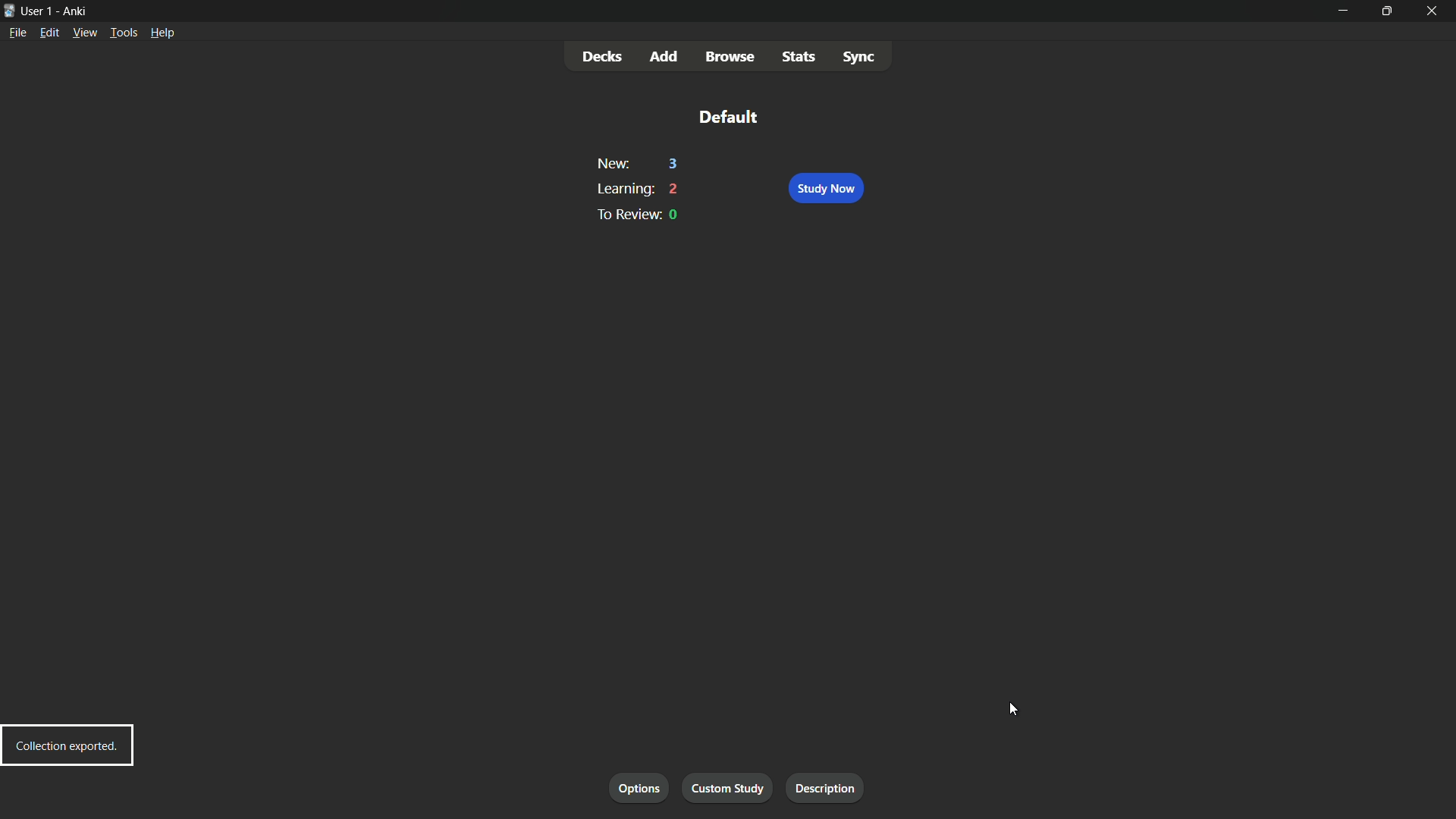 The width and height of the screenshot is (1456, 819). I want to click on edit menu, so click(49, 33).